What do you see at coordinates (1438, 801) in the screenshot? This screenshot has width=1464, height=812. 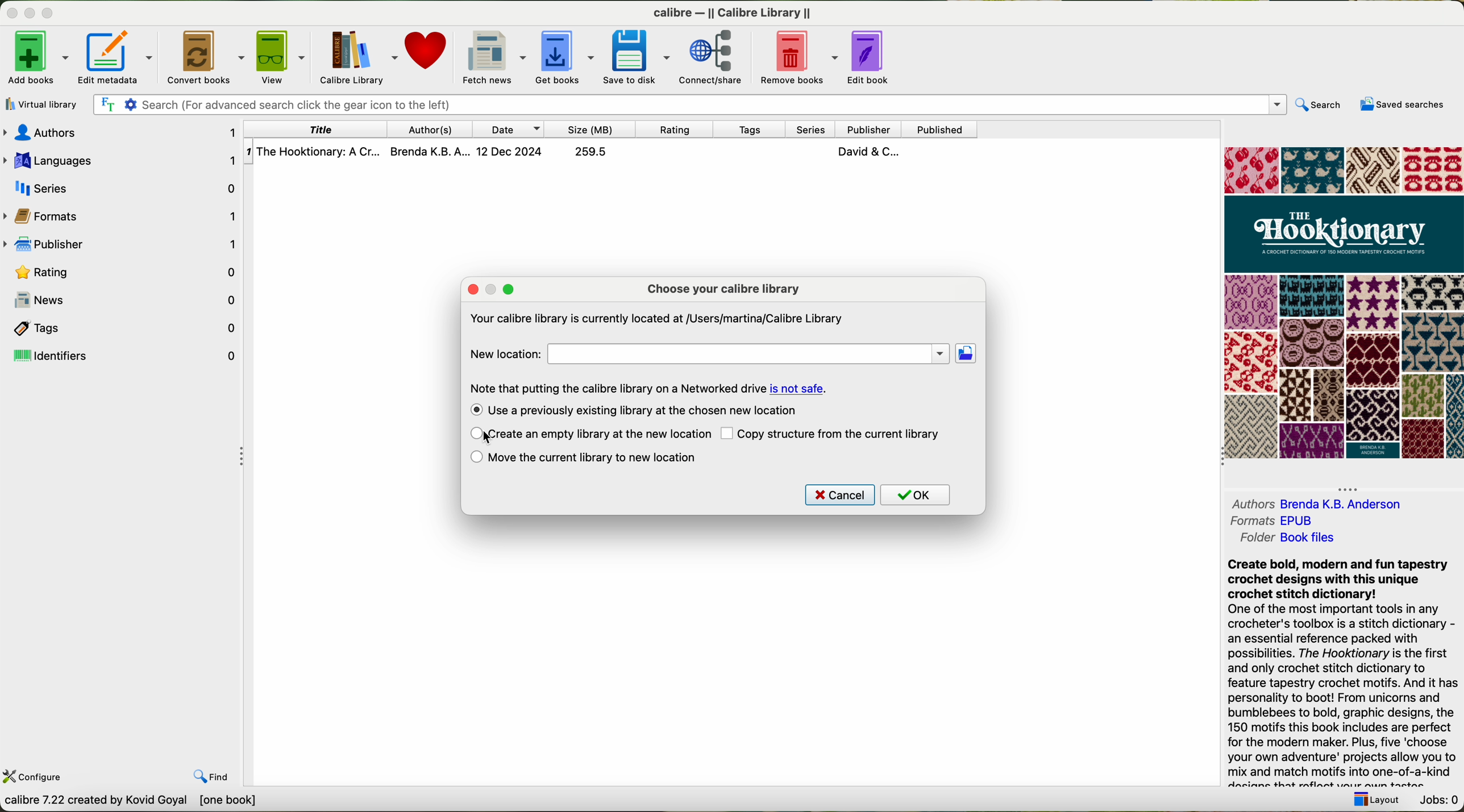 I see `jobs: 0` at bounding box center [1438, 801].